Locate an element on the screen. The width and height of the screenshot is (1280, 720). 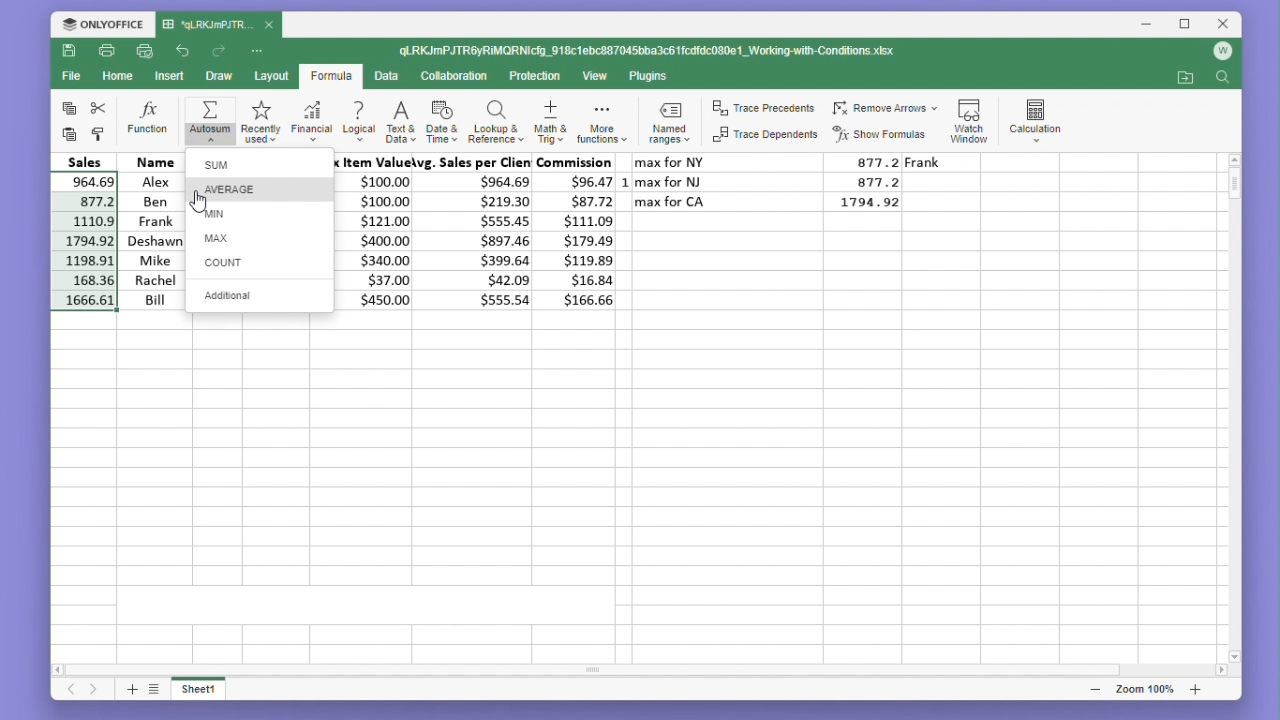
Name Alex Ben Frank deshavn Mike Rache Bill is located at coordinates (154, 231).